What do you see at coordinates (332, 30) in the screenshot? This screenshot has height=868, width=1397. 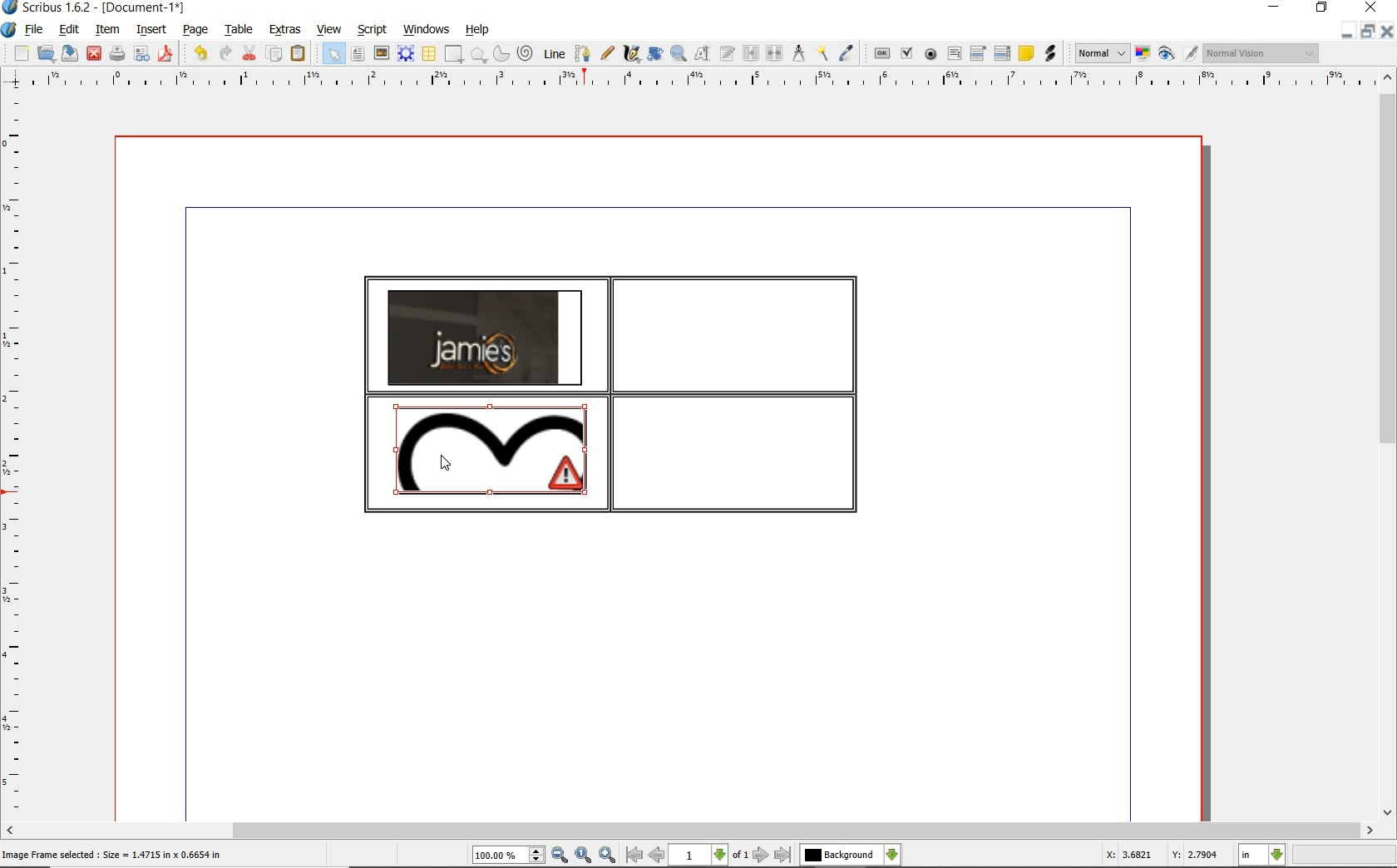 I see `view ` at bounding box center [332, 30].